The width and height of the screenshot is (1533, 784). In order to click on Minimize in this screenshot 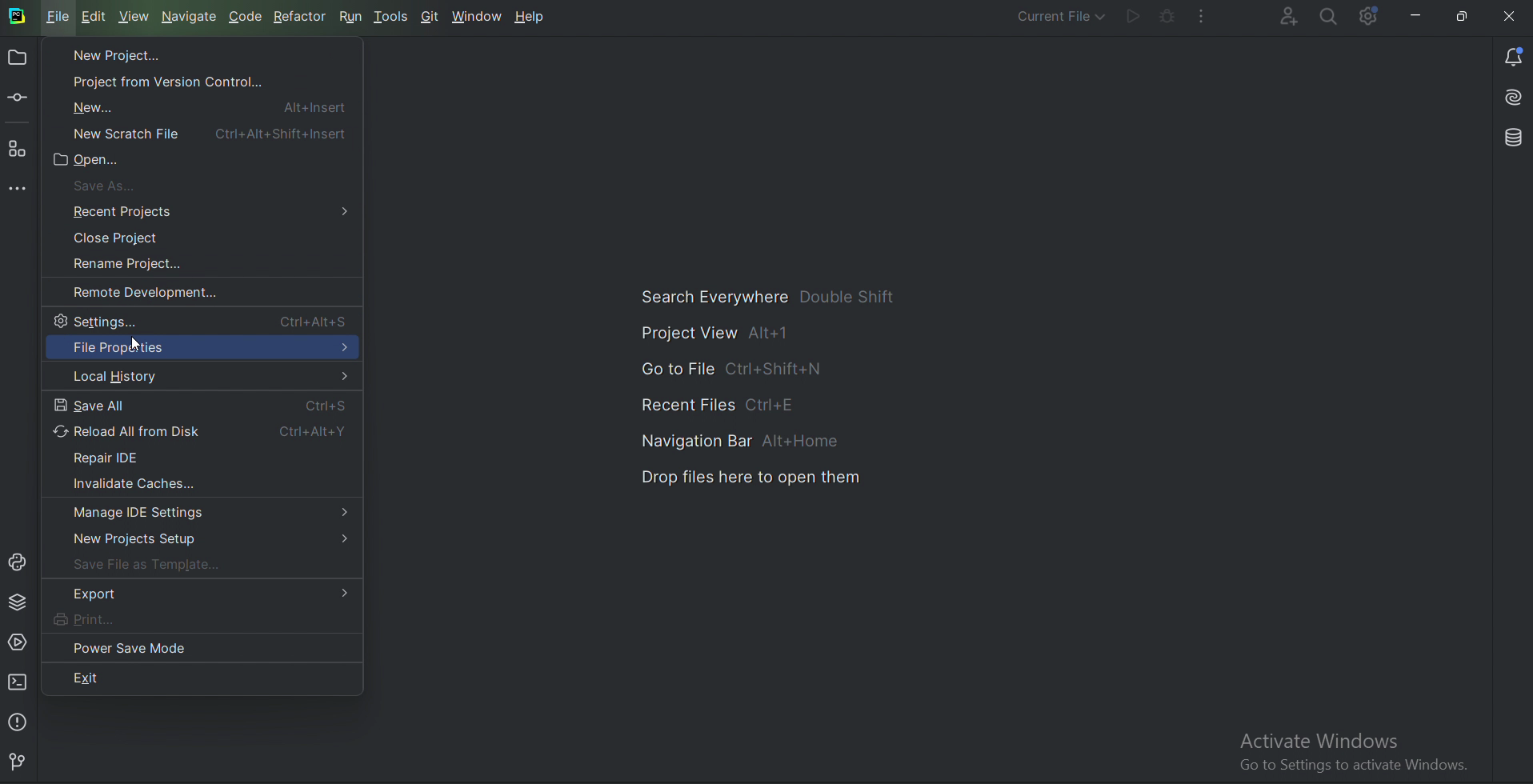, I will do `click(1417, 16)`.